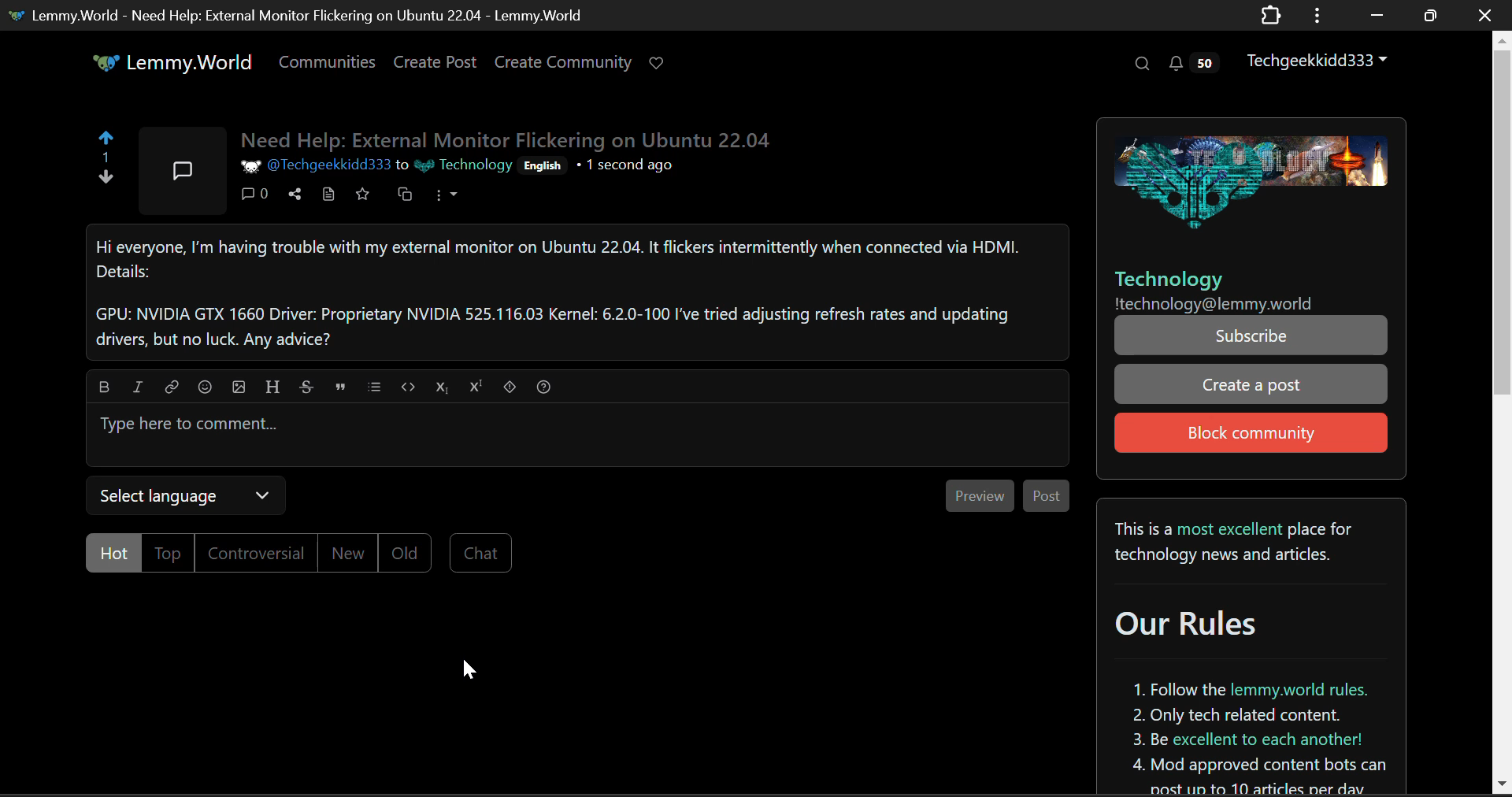 Image resolution: width=1512 pixels, height=797 pixels. What do you see at coordinates (1197, 61) in the screenshot?
I see `Notifications` at bounding box center [1197, 61].